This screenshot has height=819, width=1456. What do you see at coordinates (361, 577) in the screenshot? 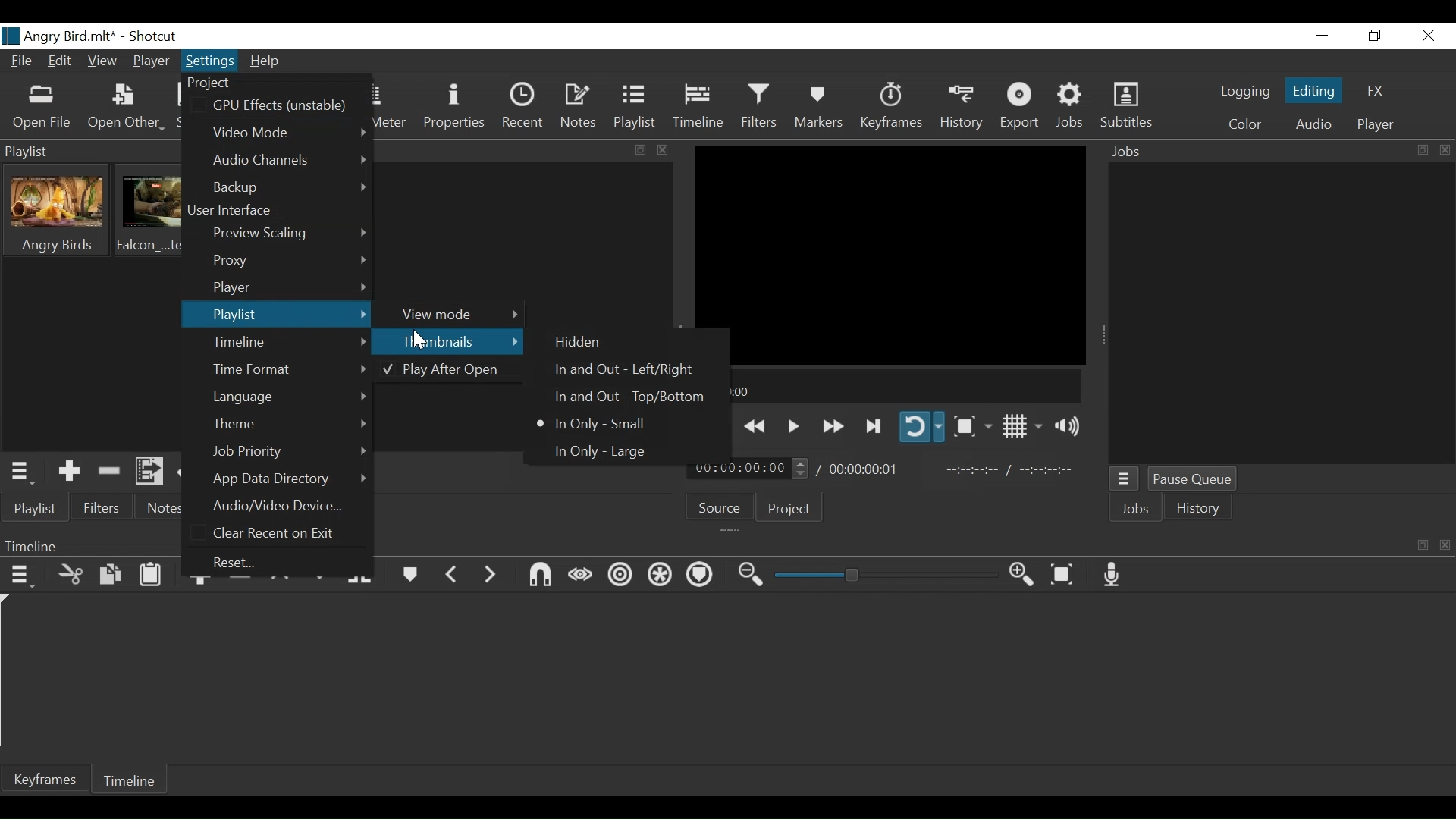
I see `Split at playhead` at bounding box center [361, 577].